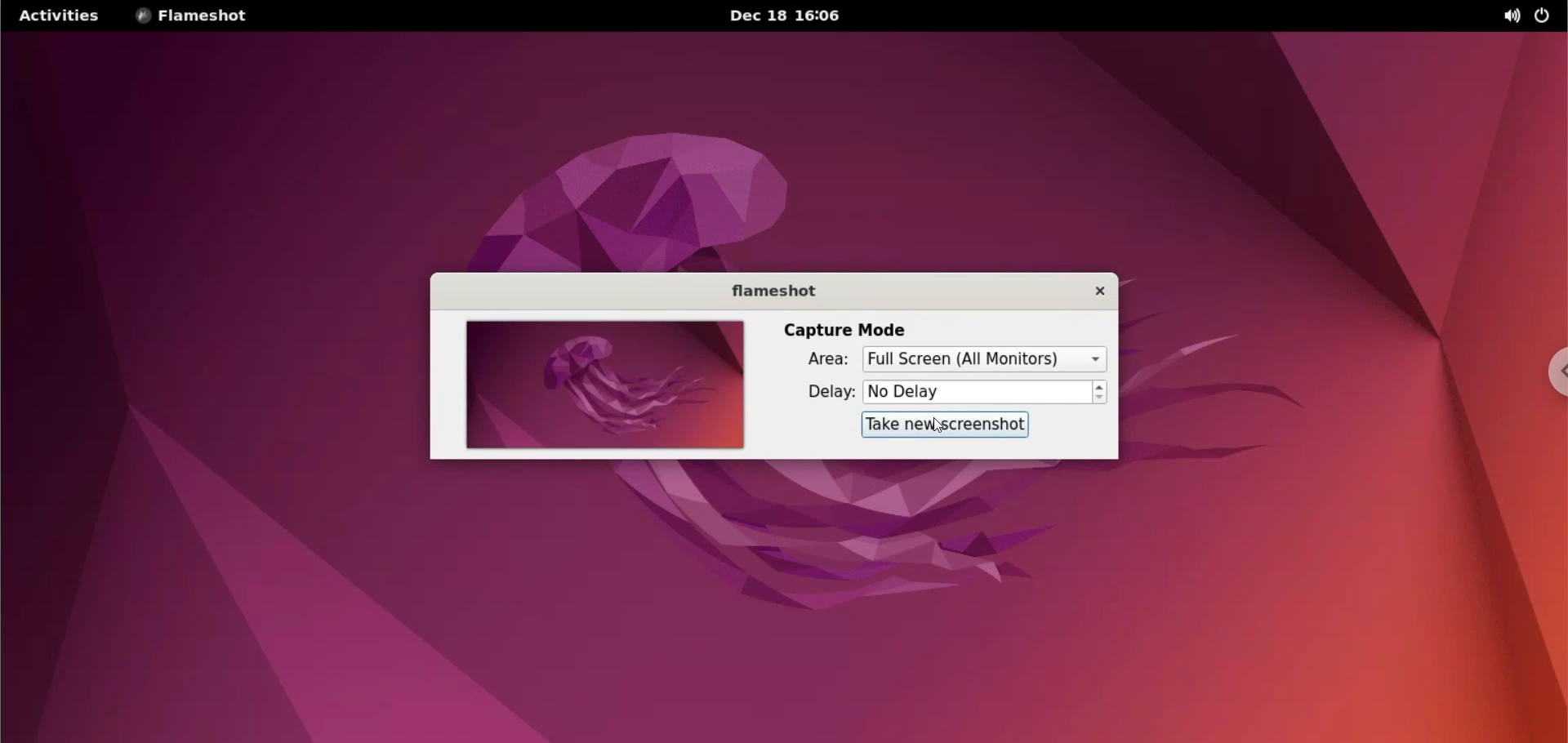 This screenshot has width=1568, height=743. I want to click on capture model label, so click(844, 329).